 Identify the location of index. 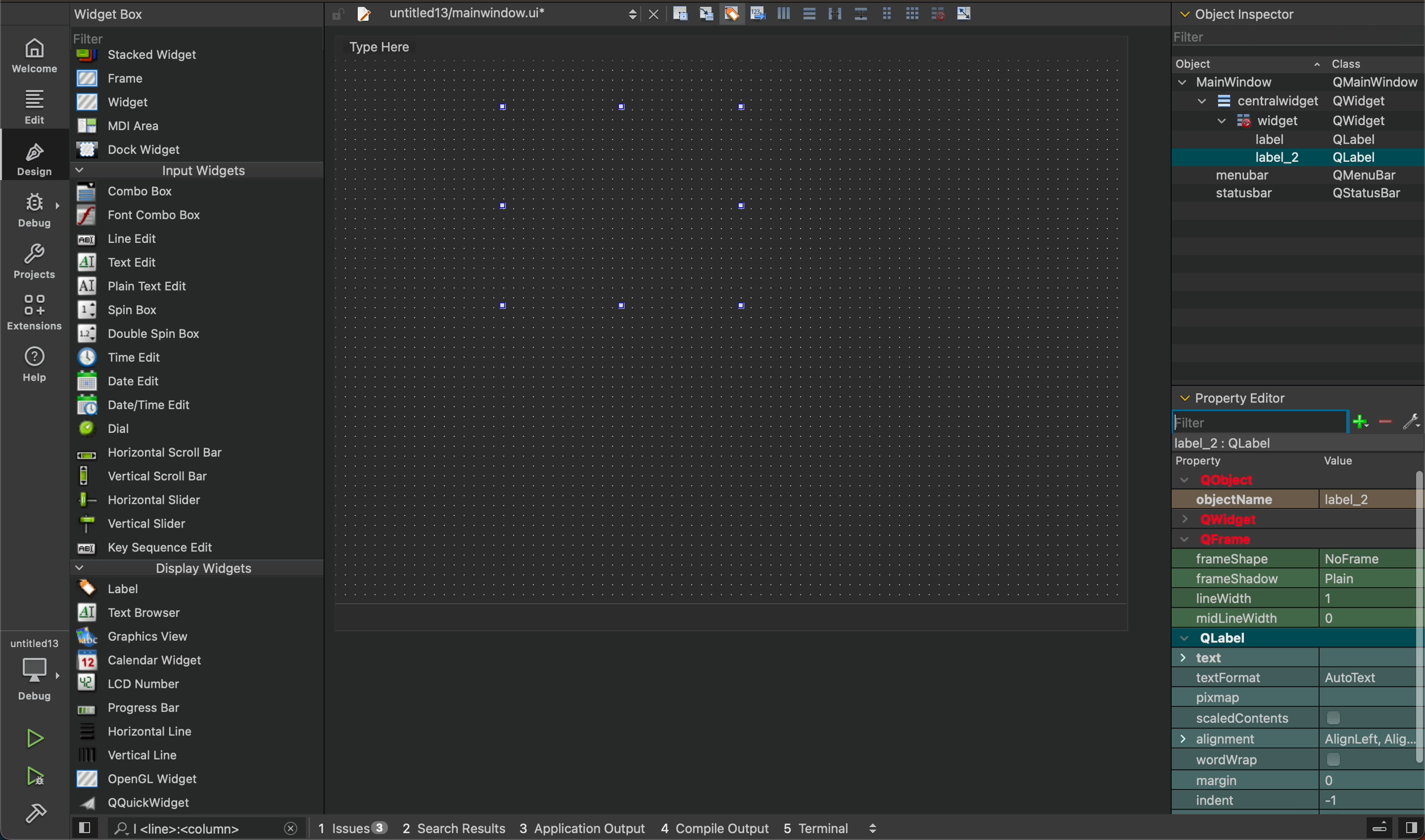
(1299, 803).